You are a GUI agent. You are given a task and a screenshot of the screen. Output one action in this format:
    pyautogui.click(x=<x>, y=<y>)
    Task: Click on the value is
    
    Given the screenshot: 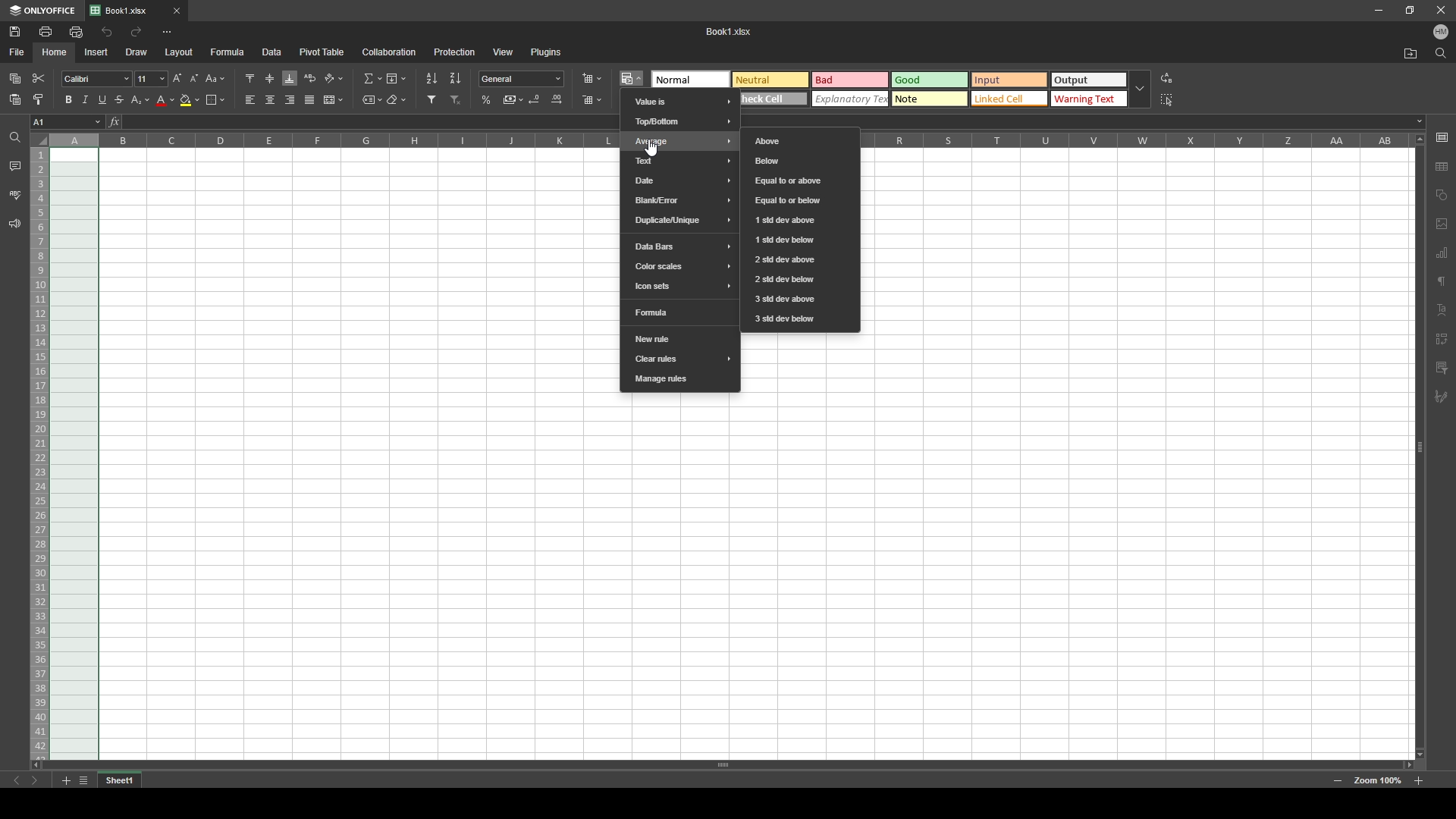 What is the action you would take?
    pyautogui.click(x=680, y=101)
    